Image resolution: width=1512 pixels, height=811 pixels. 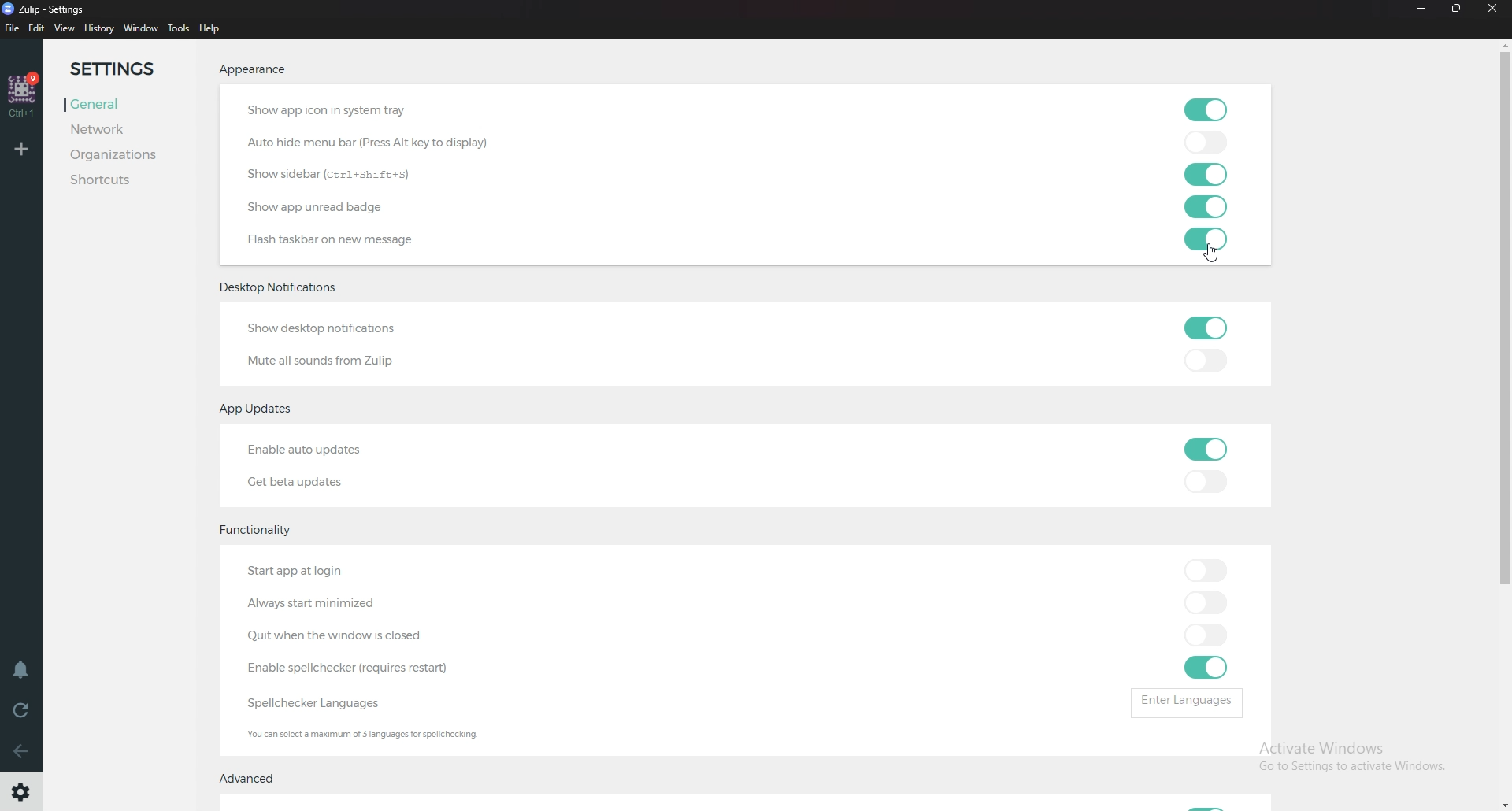 What do you see at coordinates (325, 450) in the screenshot?
I see `Enable auto updates` at bounding box center [325, 450].